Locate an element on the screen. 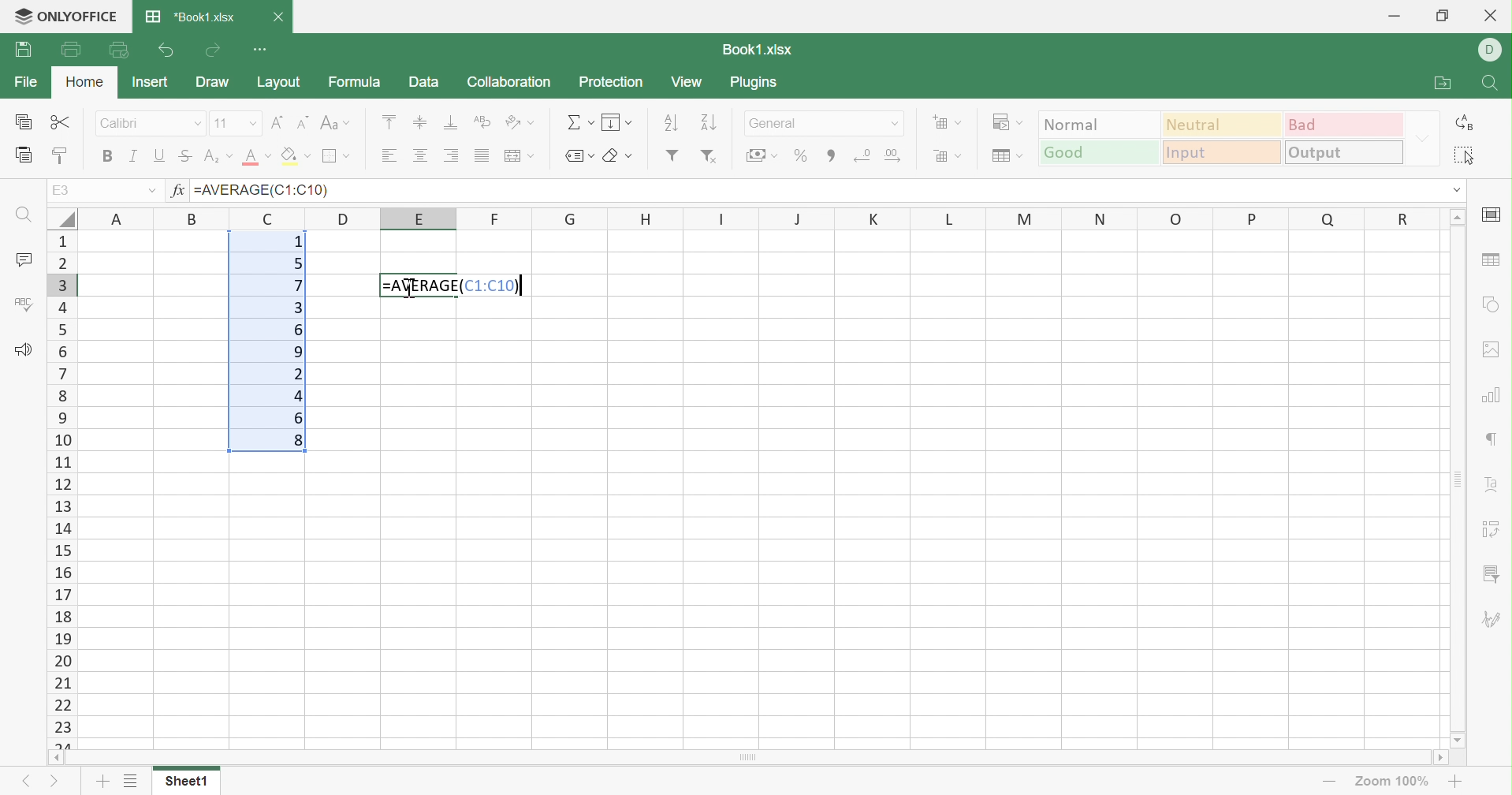 The width and height of the screenshot is (1512, 795). Normal is located at coordinates (1100, 124).